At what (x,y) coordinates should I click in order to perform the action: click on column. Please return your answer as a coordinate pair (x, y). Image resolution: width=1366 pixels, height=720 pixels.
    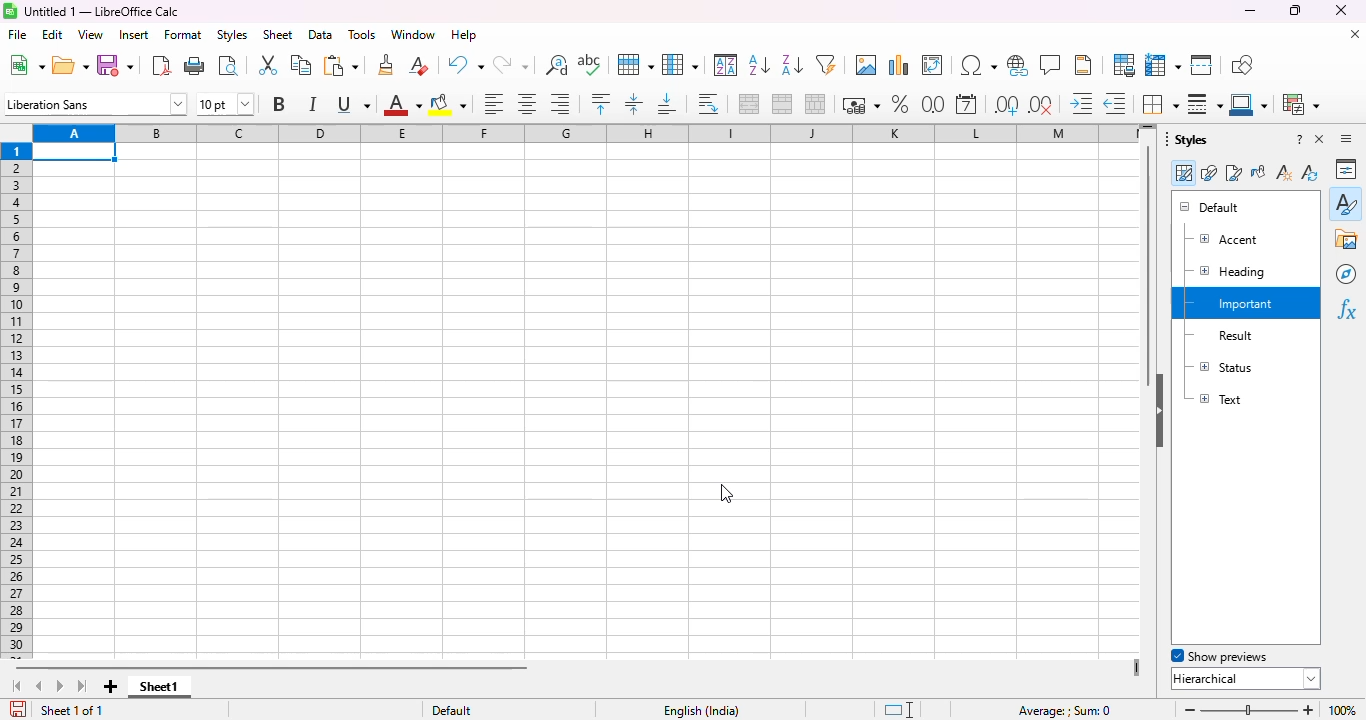
    Looking at the image, I should click on (680, 65).